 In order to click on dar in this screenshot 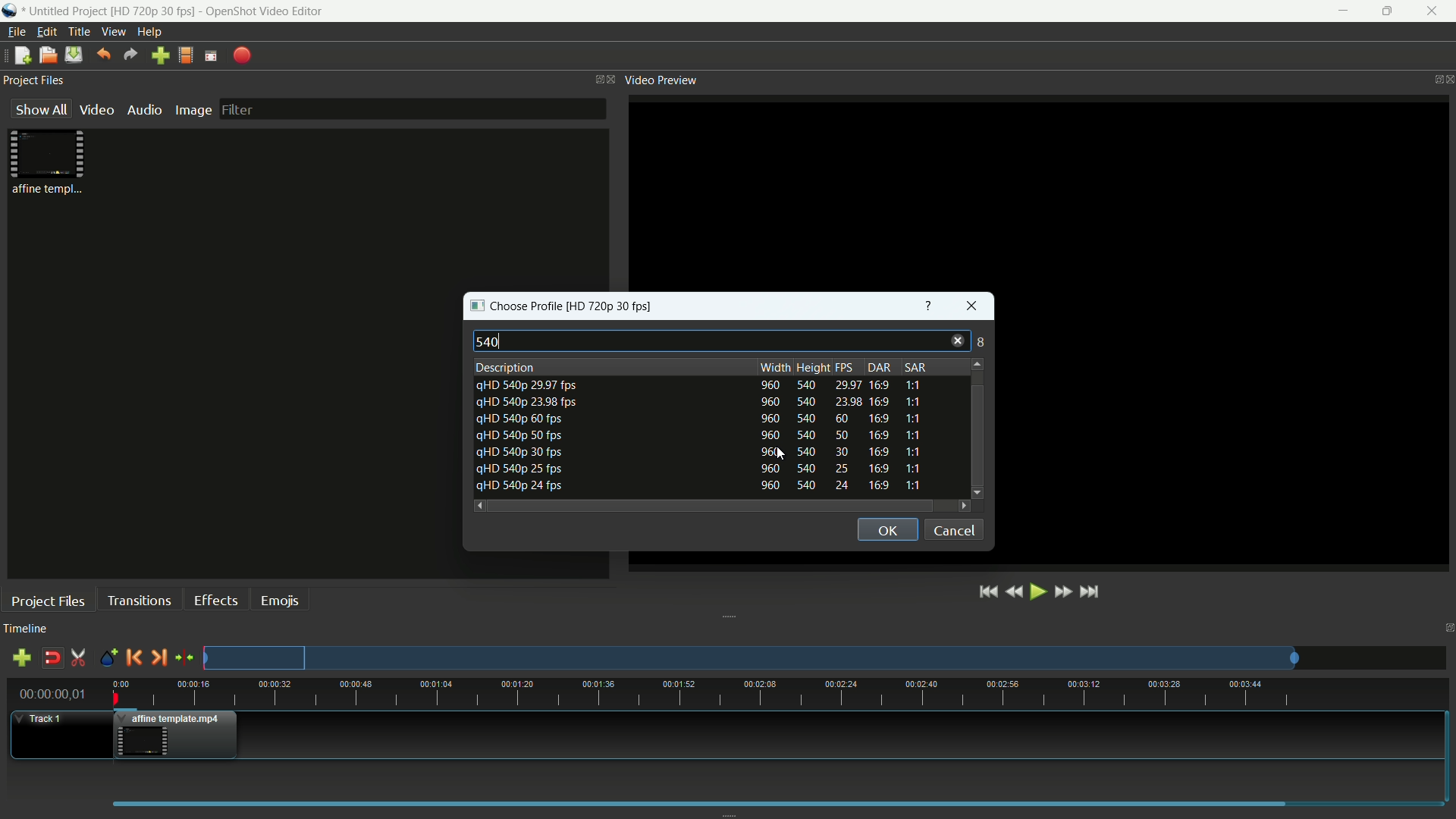, I will do `click(877, 366)`.